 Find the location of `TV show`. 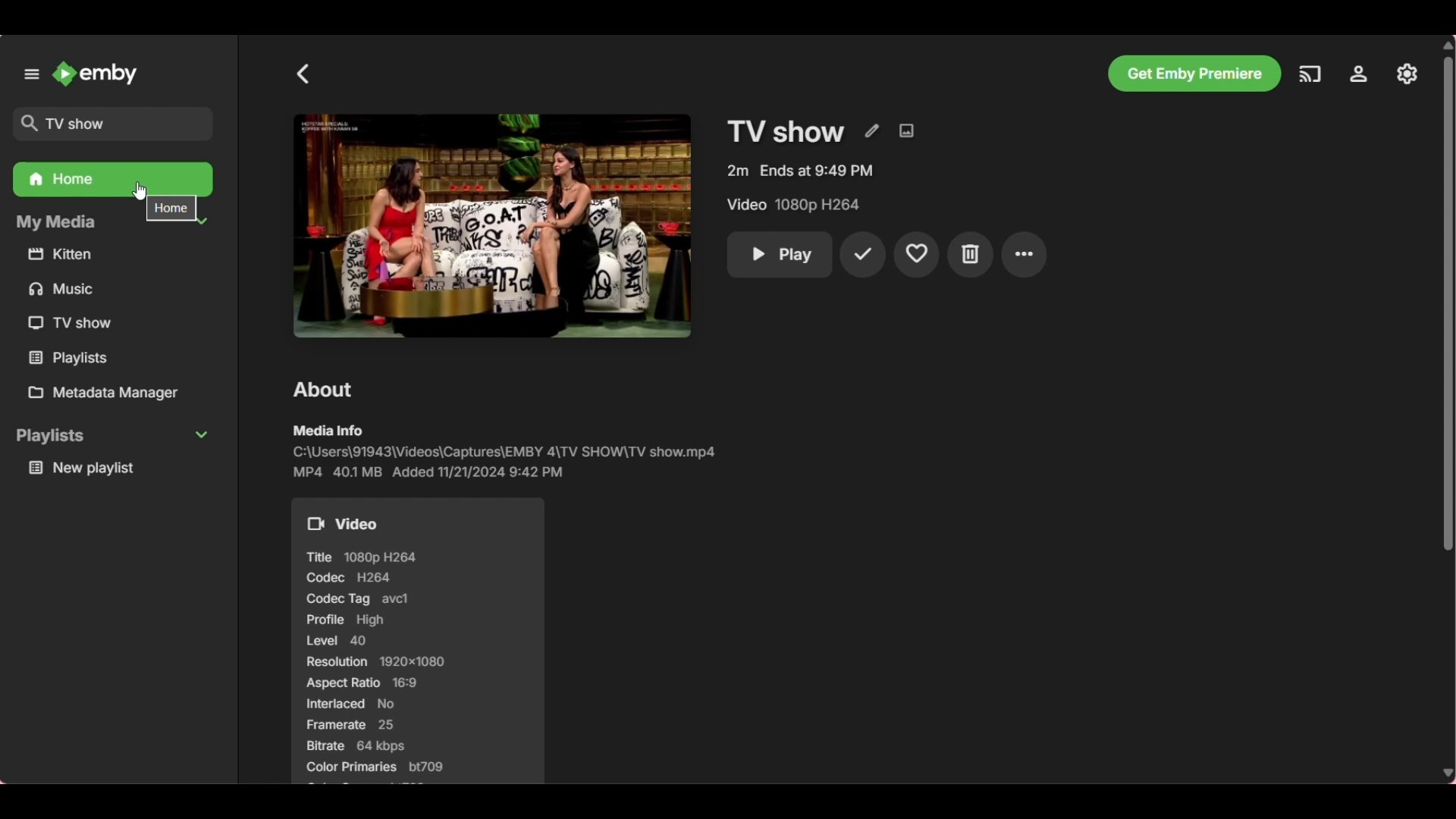

TV show is located at coordinates (786, 131).